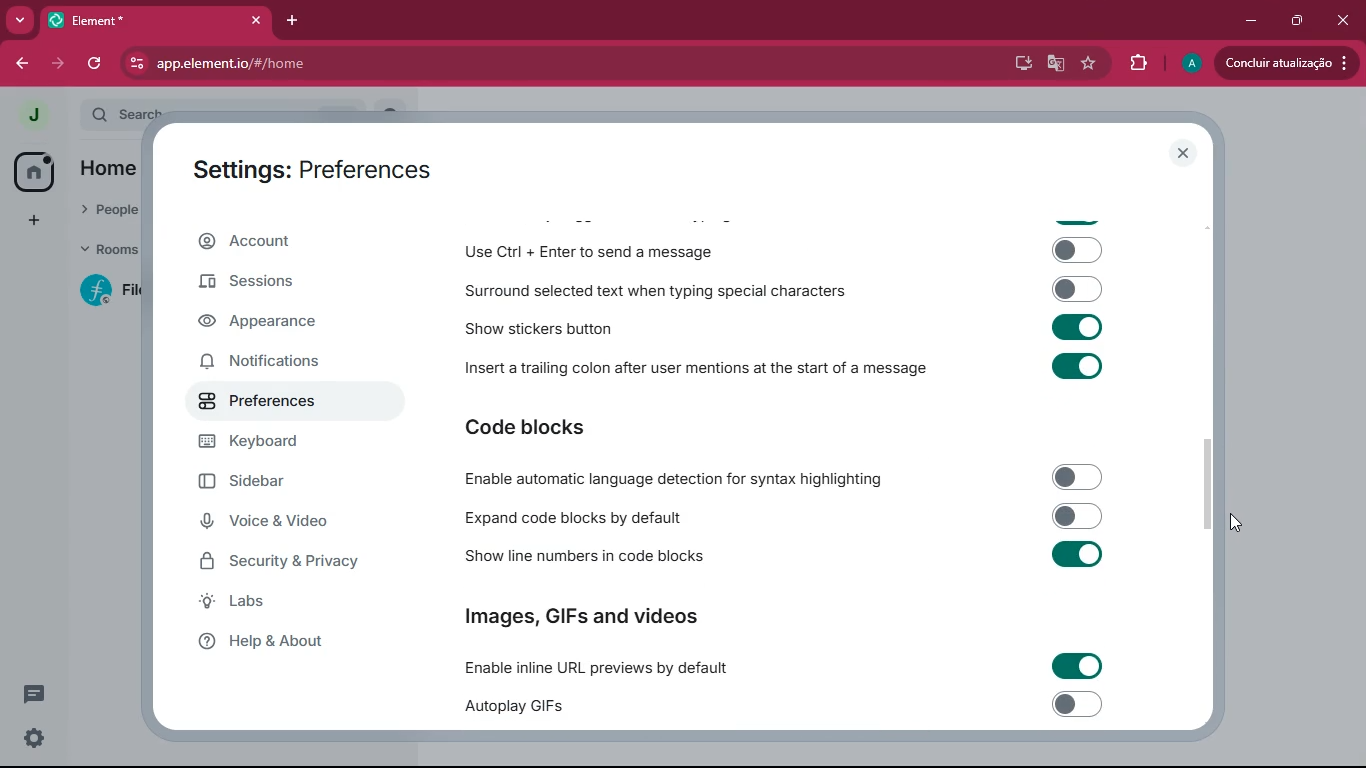 The height and width of the screenshot is (768, 1366). Describe the element at coordinates (281, 524) in the screenshot. I see `voice & video` at that location.